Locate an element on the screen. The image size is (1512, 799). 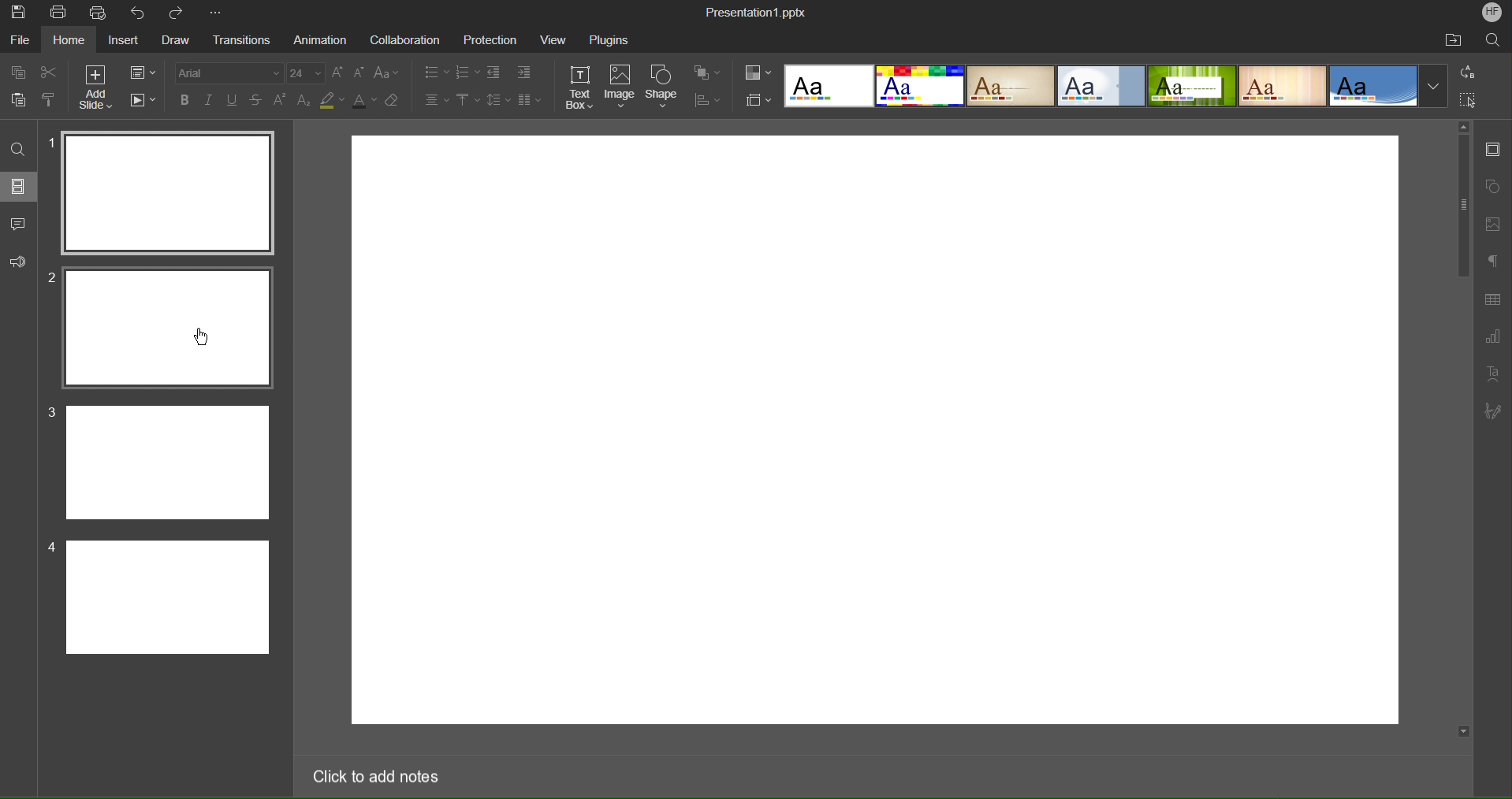
underline is located at coordinates (233, 98).